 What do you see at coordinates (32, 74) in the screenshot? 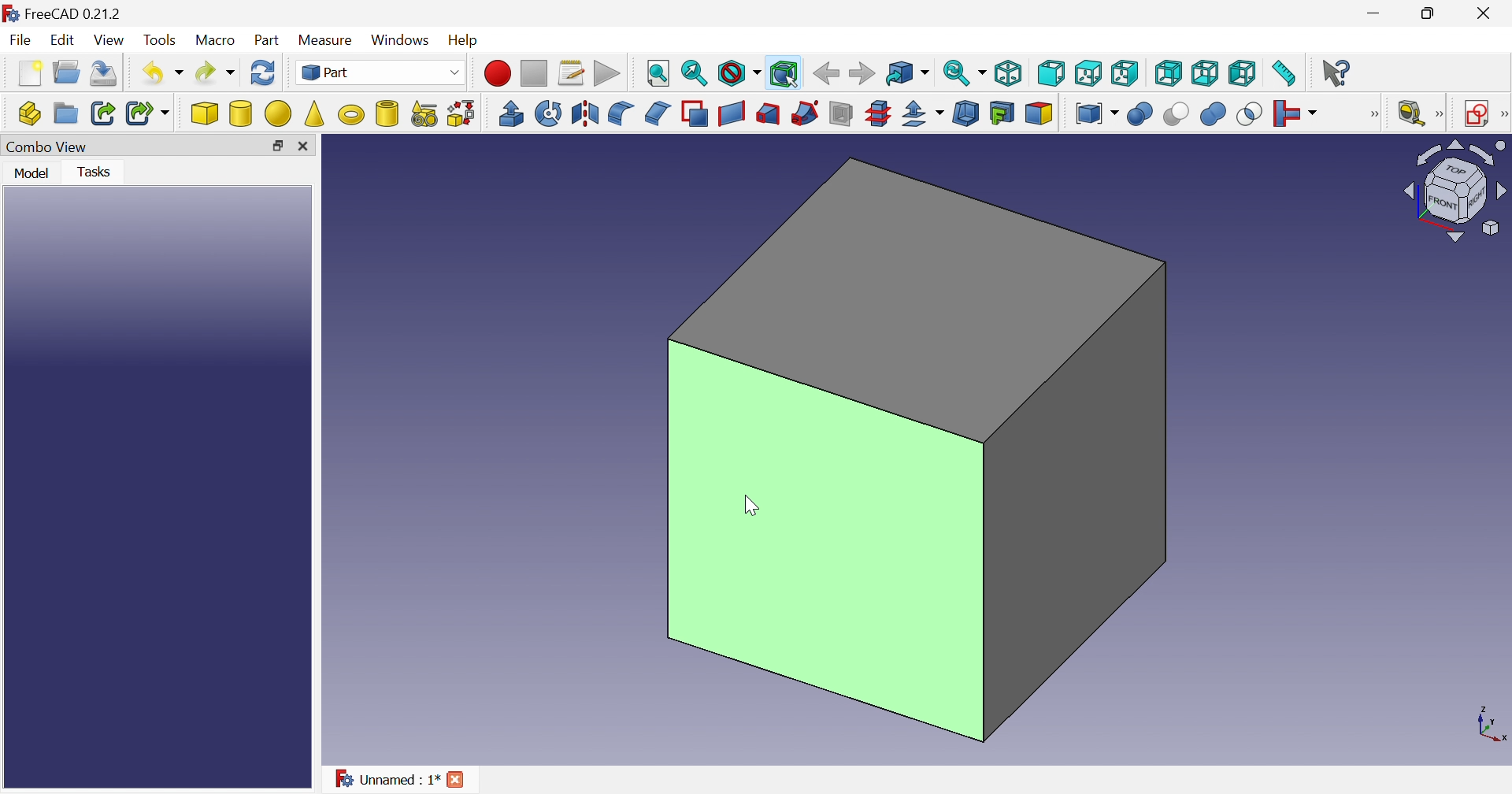
I see `New` at bounding box center [32, 74].